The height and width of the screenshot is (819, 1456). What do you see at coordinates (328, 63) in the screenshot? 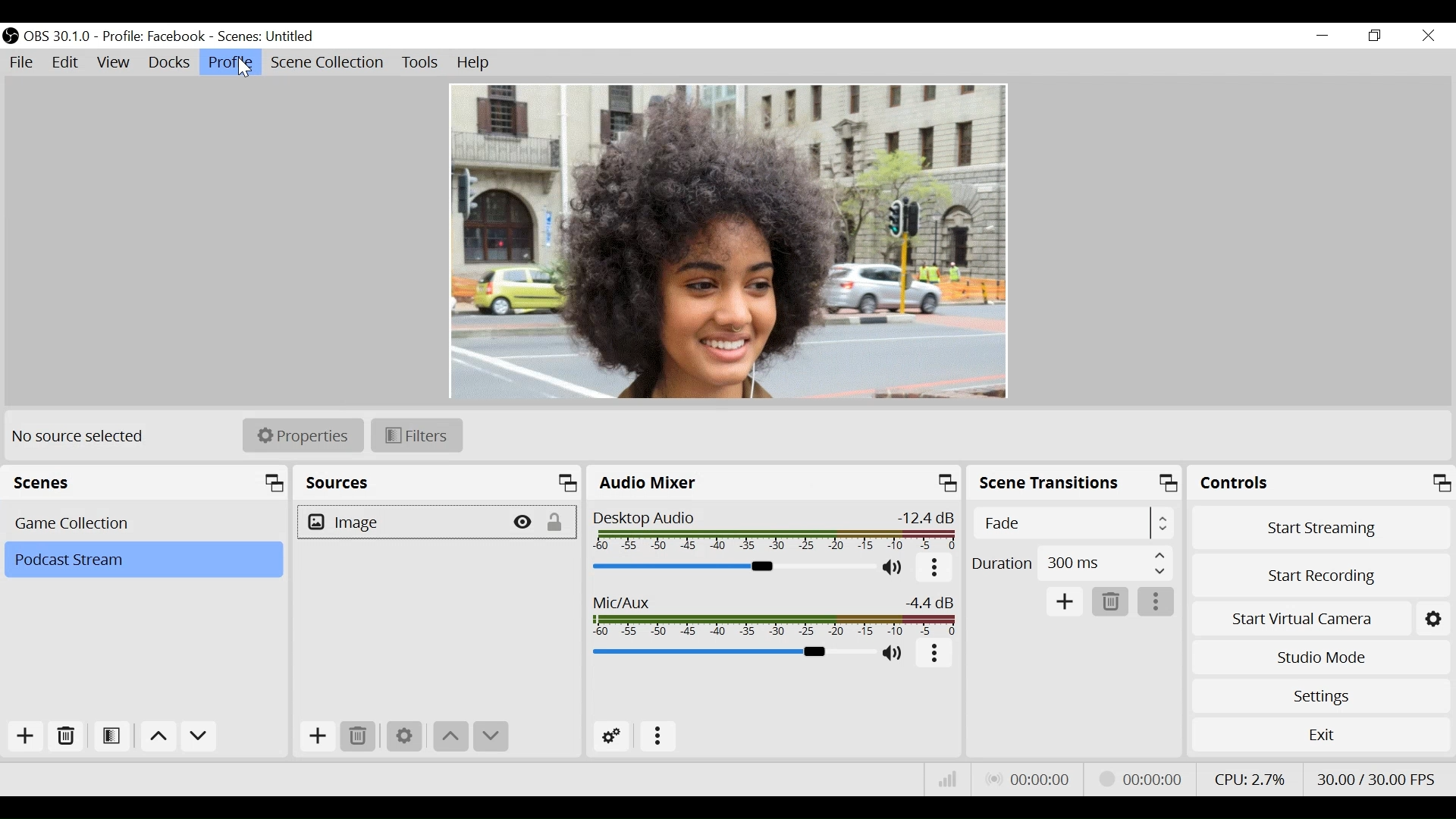
I see `Scene Collection` at bounding box center [328, 63].